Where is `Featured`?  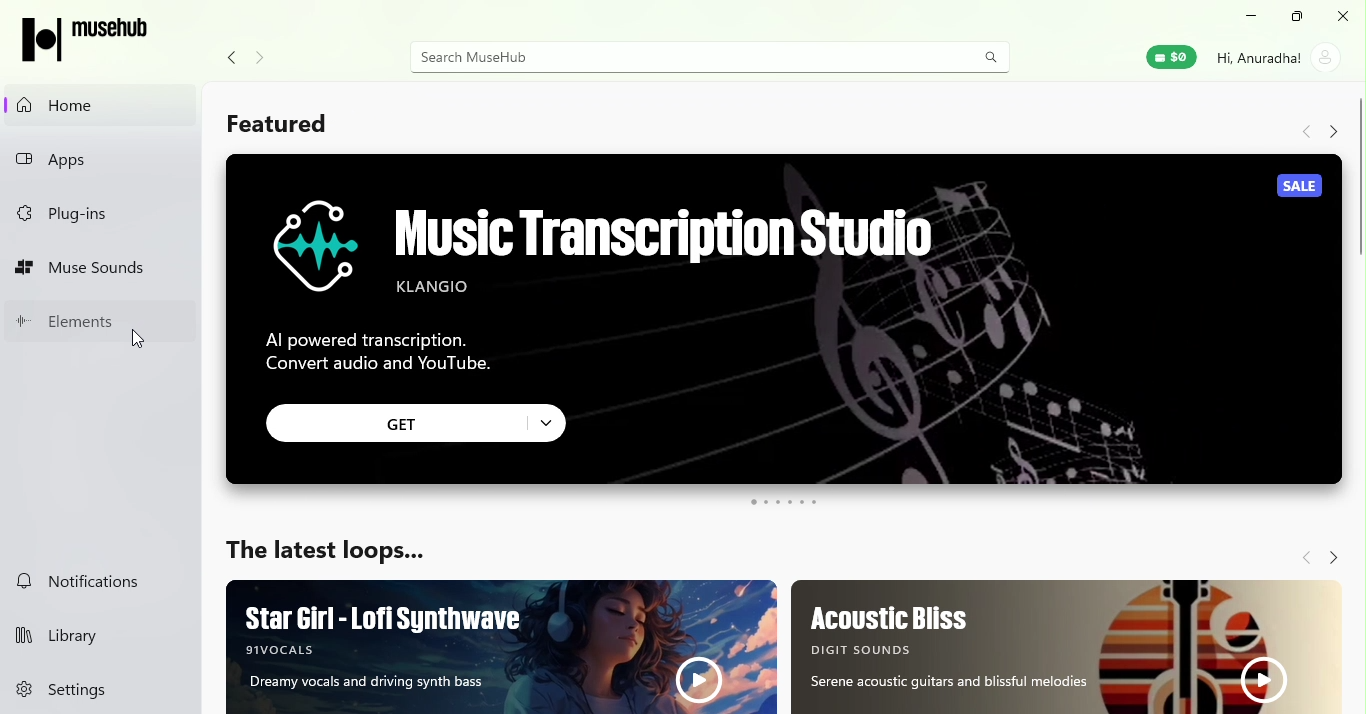 Featured is located at coordinates (281, 120).